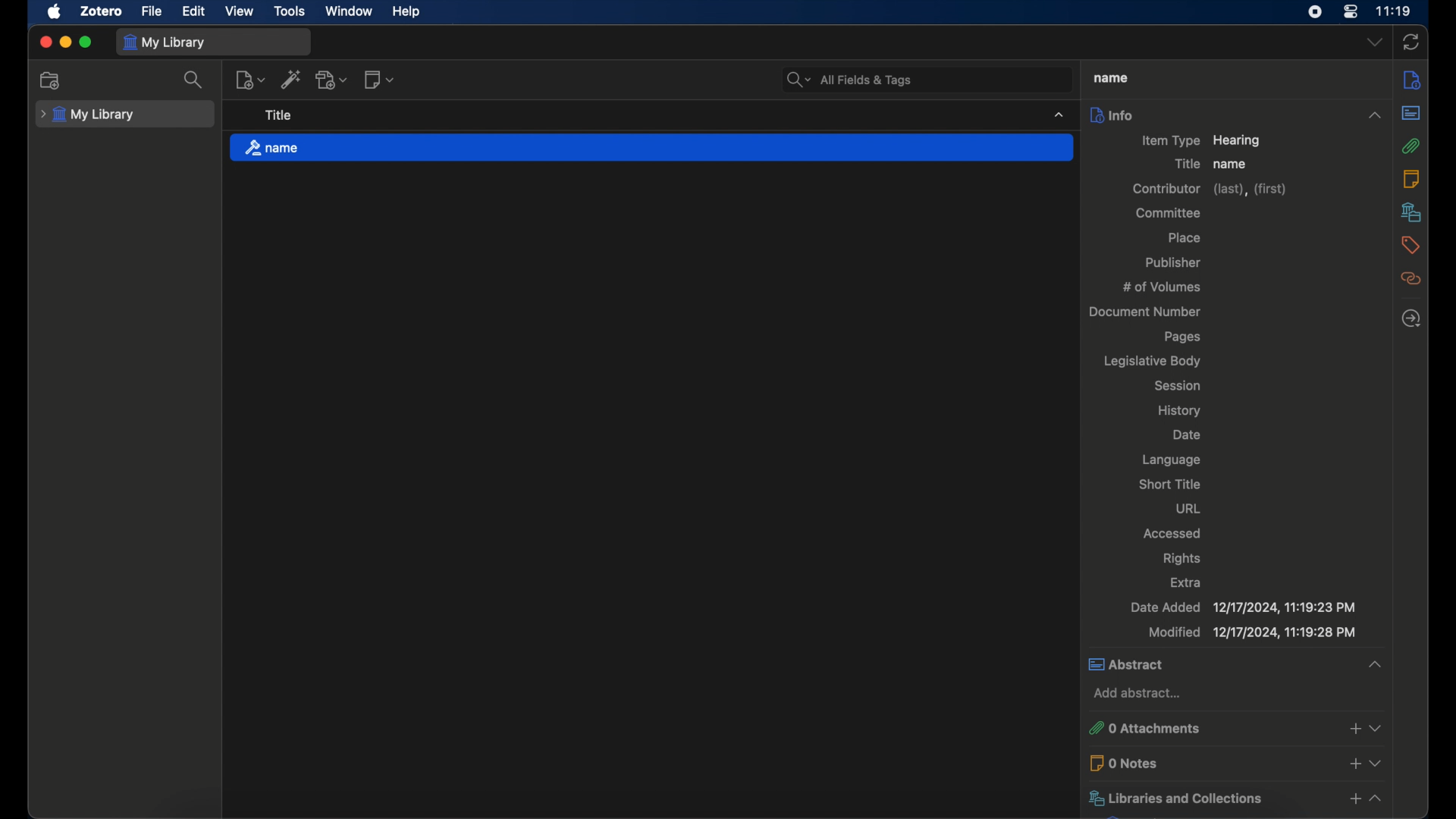  What do you see at coordinates (1350, 11) in the screenshot?
I see `control center` at bounding box center [1350, 11].